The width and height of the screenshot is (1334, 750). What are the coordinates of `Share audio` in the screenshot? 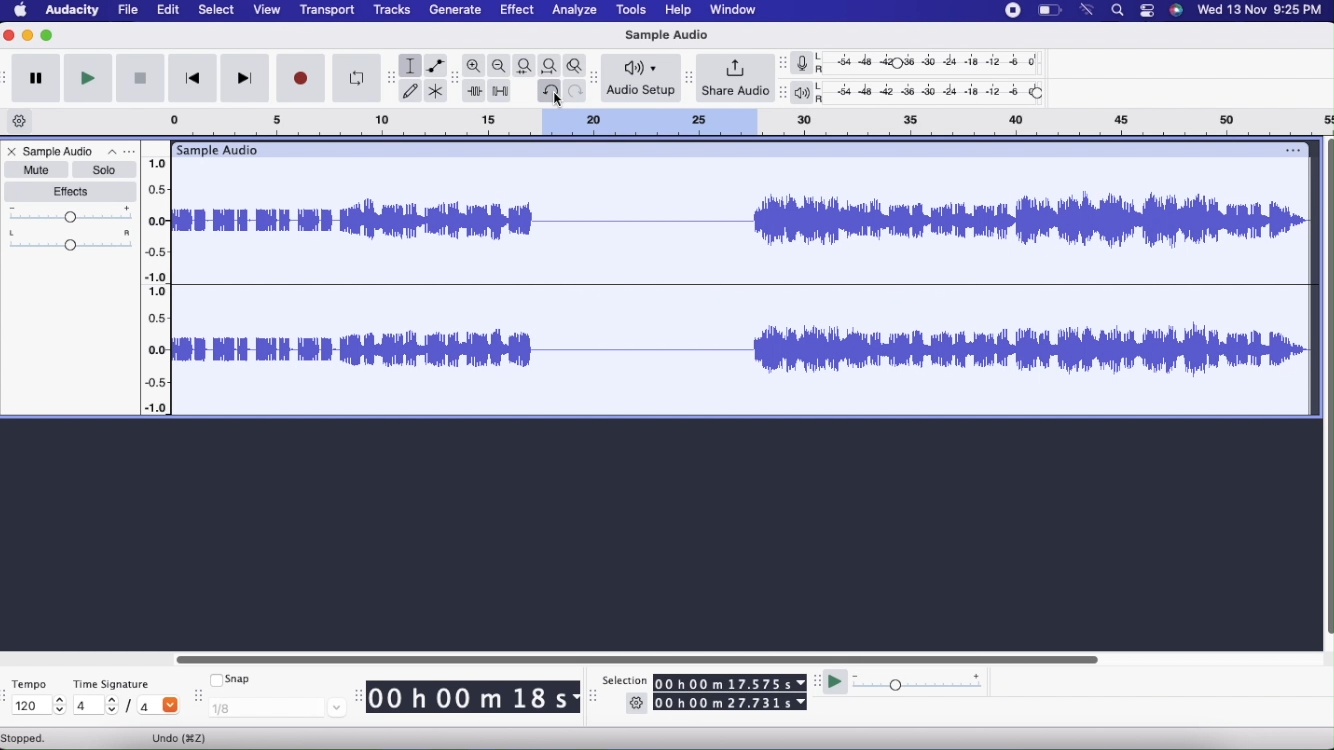 It's located at (735, 79).